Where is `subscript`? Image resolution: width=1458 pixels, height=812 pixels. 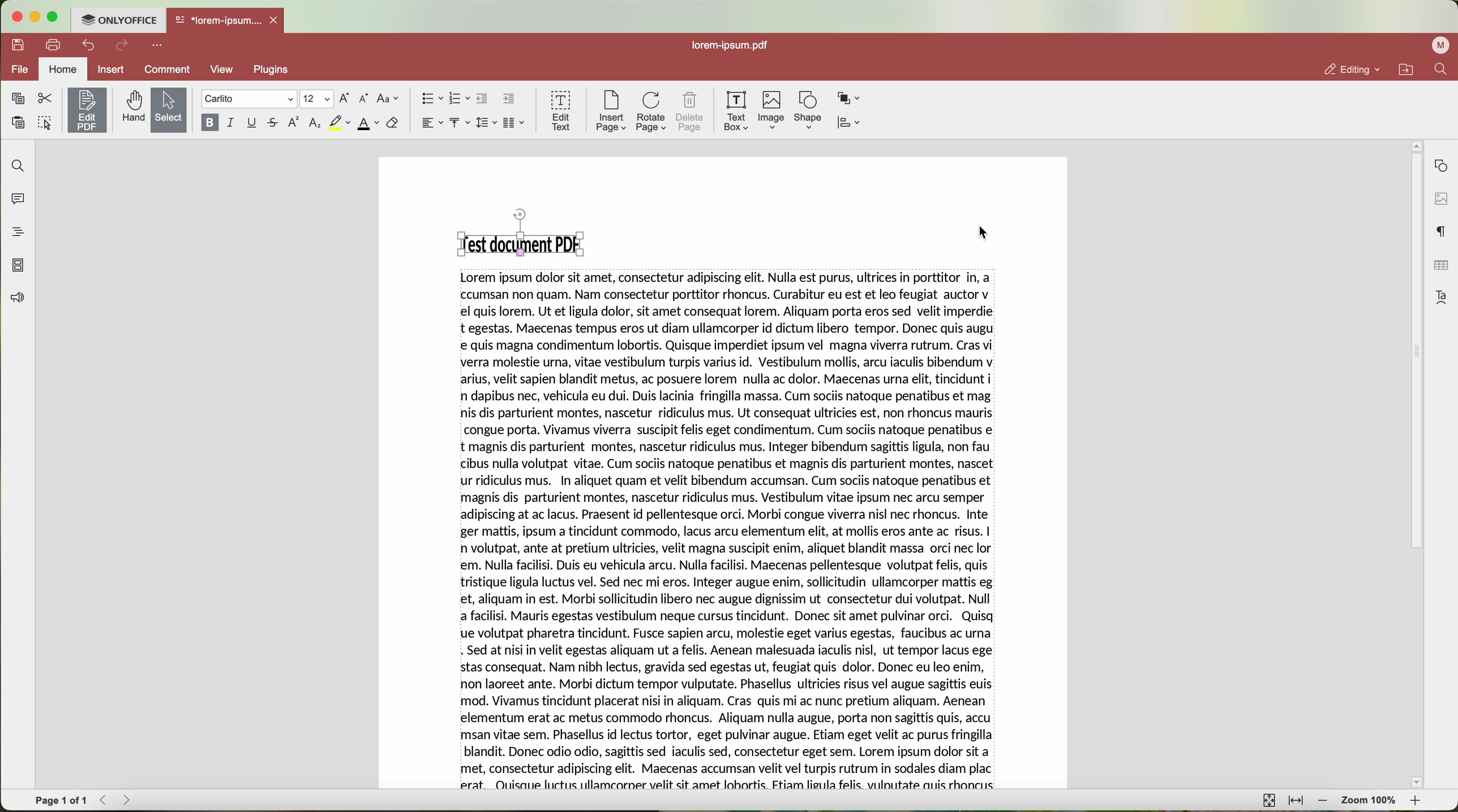
subscript is located at coordinates (315, 124).